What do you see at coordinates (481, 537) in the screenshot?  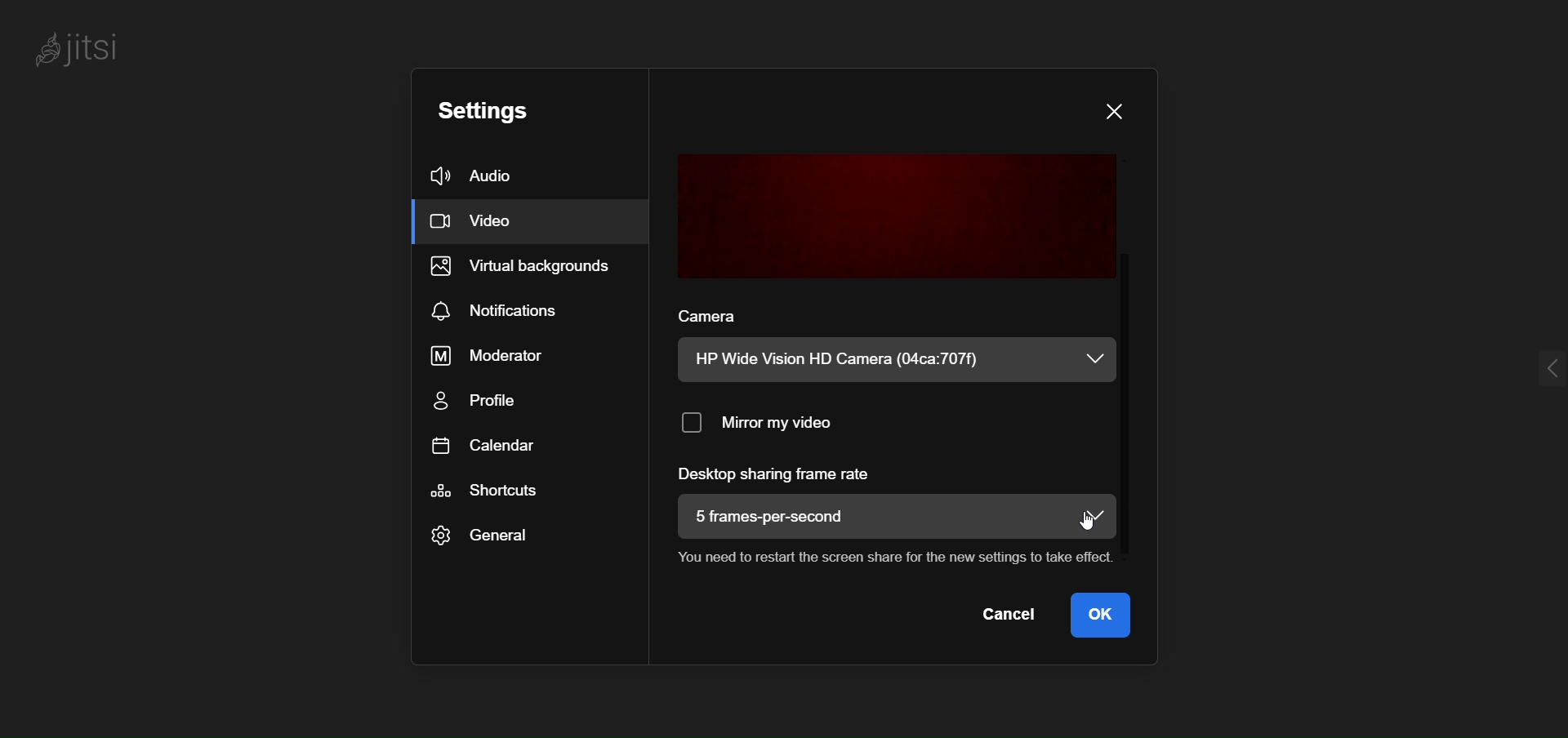 I see `general` at bounding box center [481, 537].